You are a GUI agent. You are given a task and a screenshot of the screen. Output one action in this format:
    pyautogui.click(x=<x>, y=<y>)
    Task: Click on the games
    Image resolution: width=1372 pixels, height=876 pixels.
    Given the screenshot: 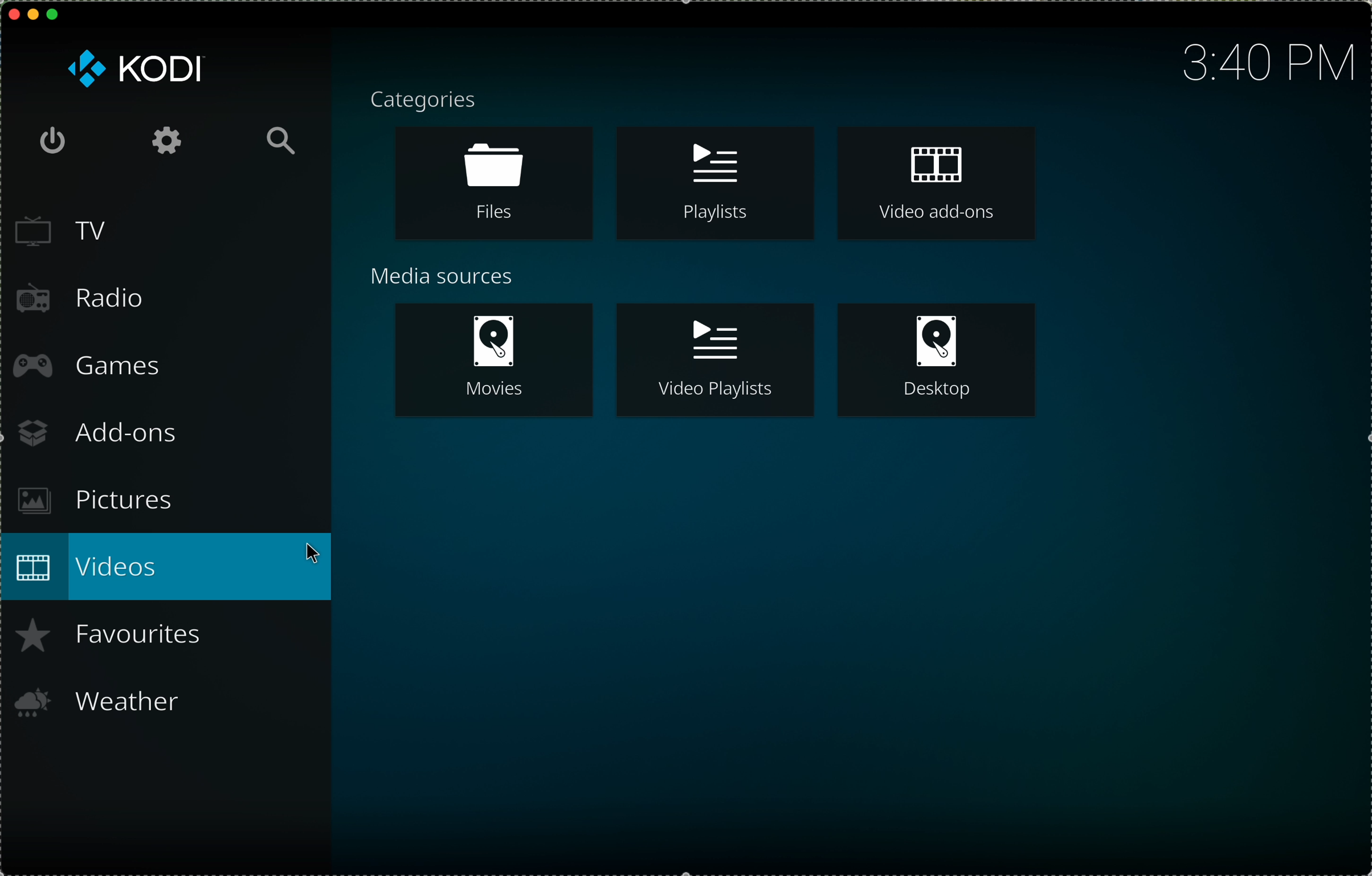 What is the action you would take?
    pyautogui.click(x=85, y=364)
    